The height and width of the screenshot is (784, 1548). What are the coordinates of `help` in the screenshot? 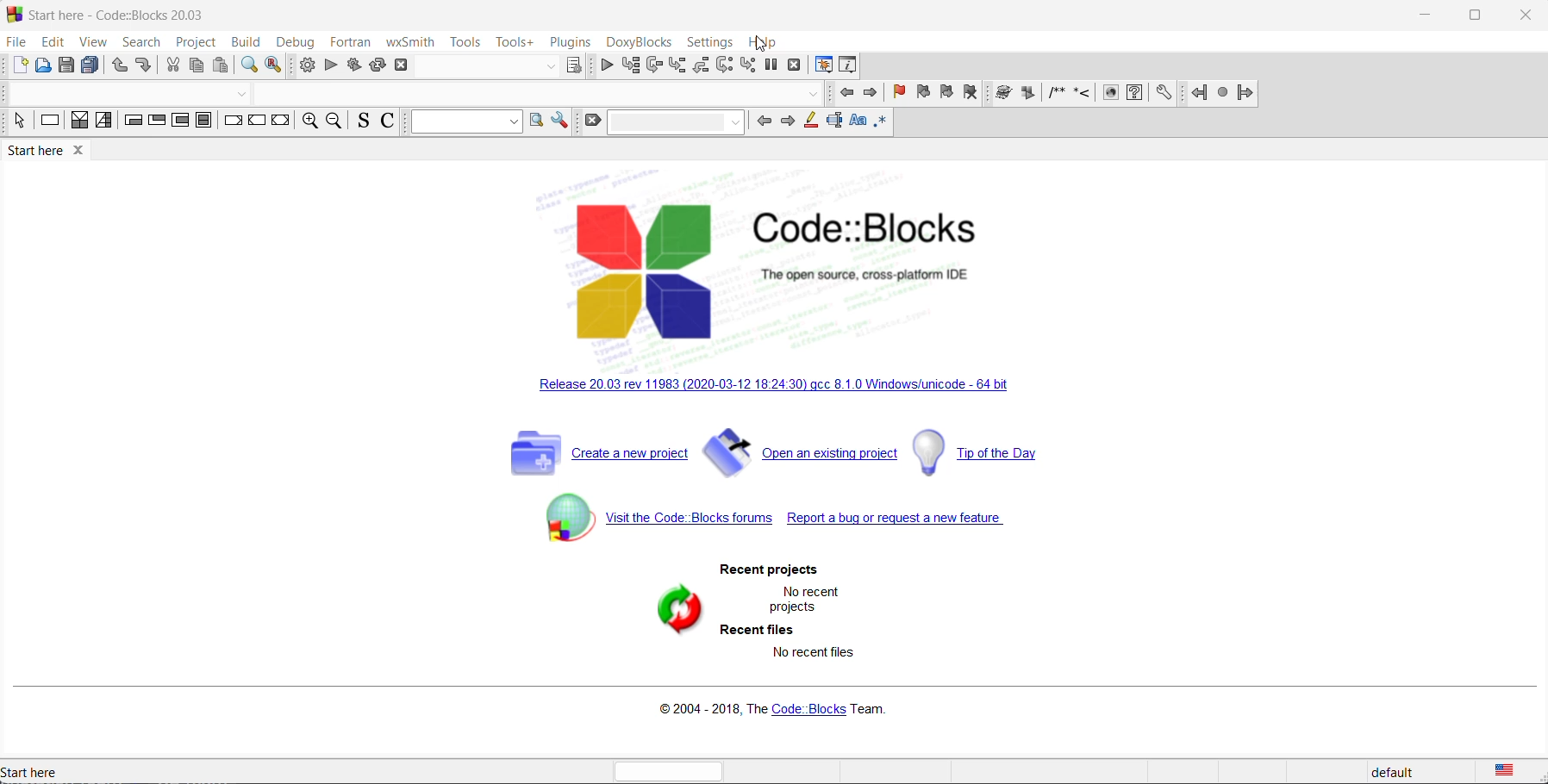 It's located at (761, 40).